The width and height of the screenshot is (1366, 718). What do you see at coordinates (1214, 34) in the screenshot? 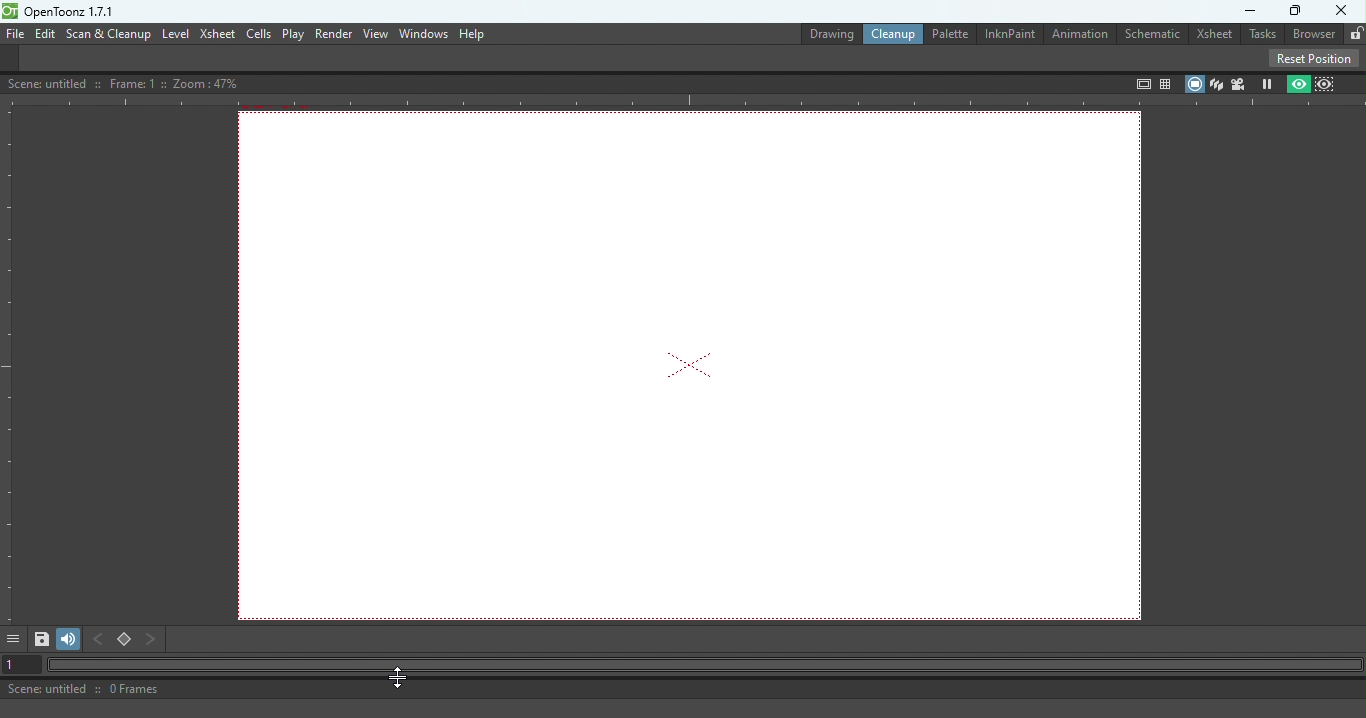
I see `Xsheet` at bounding box center [1214, 34].